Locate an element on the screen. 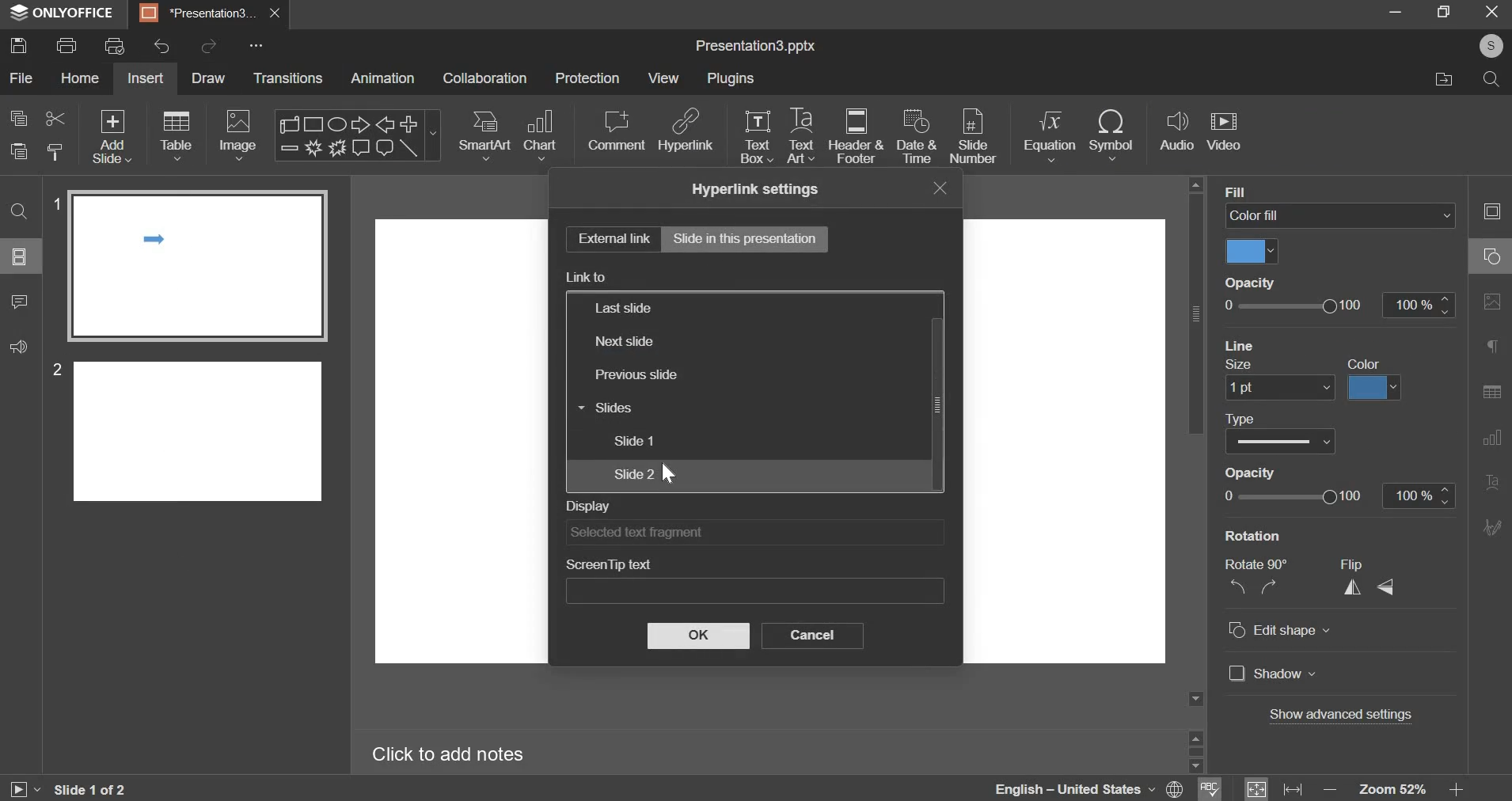 The height and width of the screenshot is (801, 1512). Display is located at coordinates (751, 533).